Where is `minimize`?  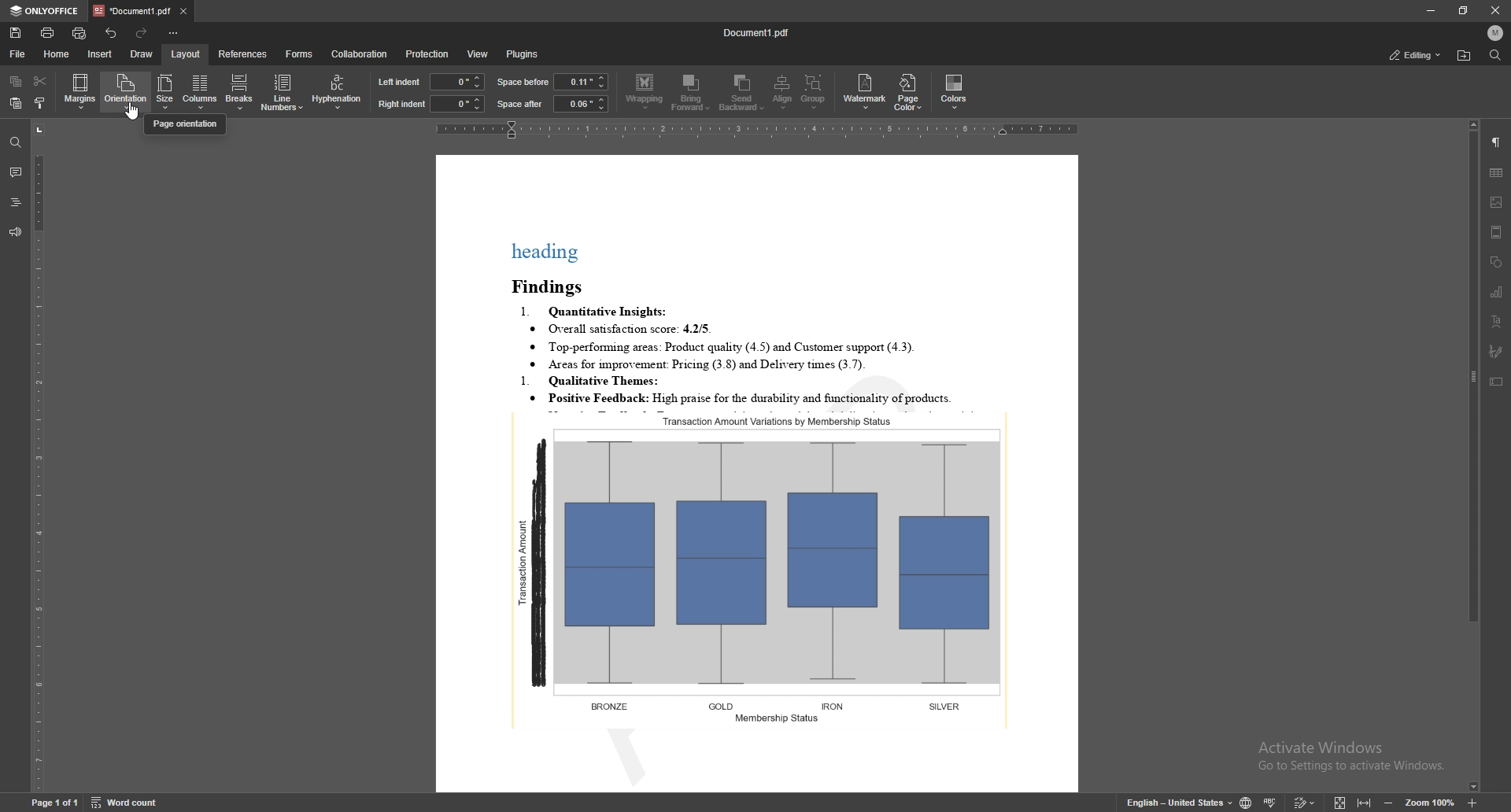 minimize is located at coordinates (1430, 10).